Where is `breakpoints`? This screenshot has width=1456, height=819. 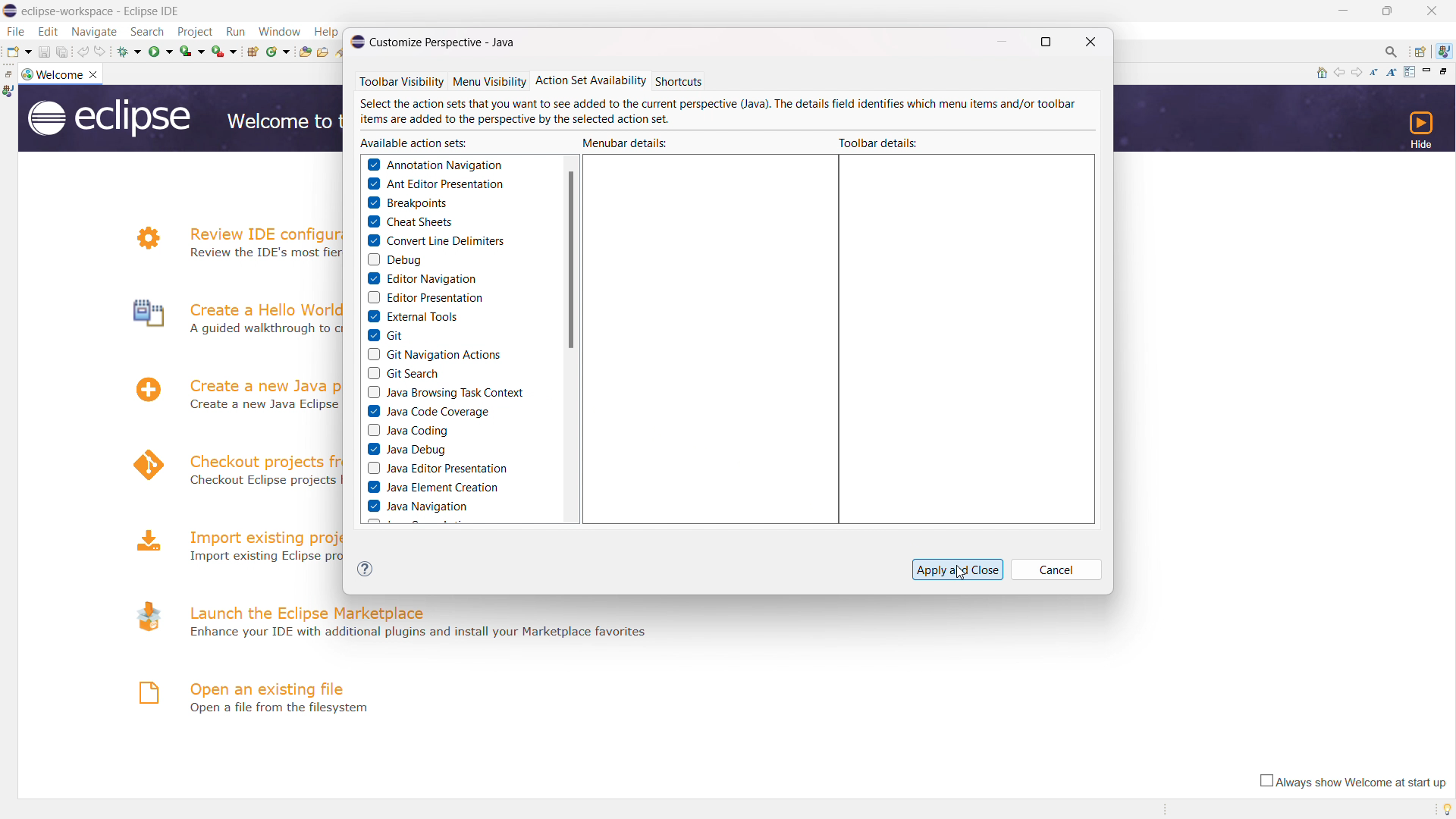
breakpoints is located at coordinates (406, 202).